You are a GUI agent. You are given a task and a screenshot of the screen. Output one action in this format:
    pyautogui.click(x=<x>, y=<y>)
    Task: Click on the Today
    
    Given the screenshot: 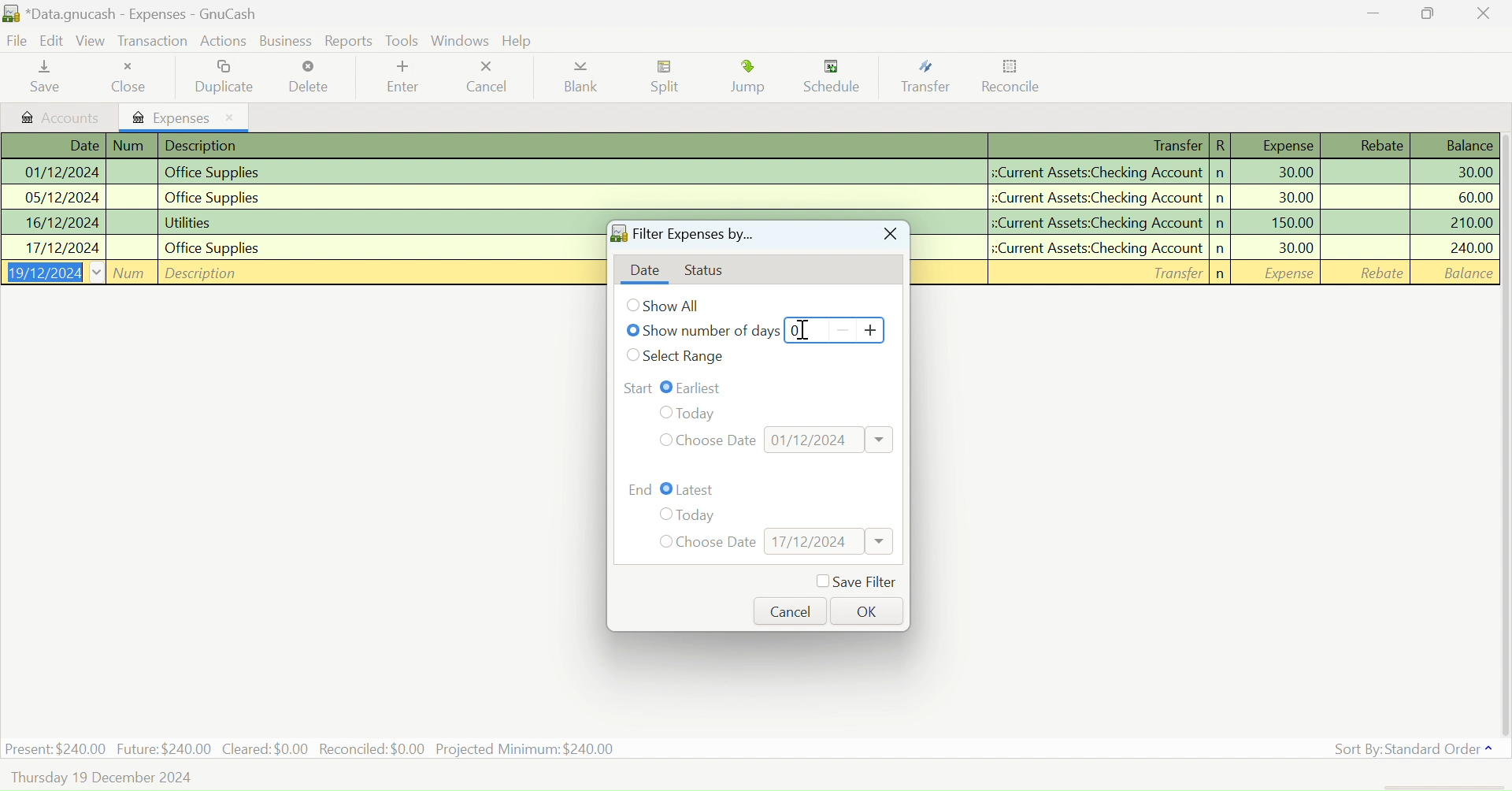 What is the action you would take?
    pyautogui.click(x=710, y=410)
    